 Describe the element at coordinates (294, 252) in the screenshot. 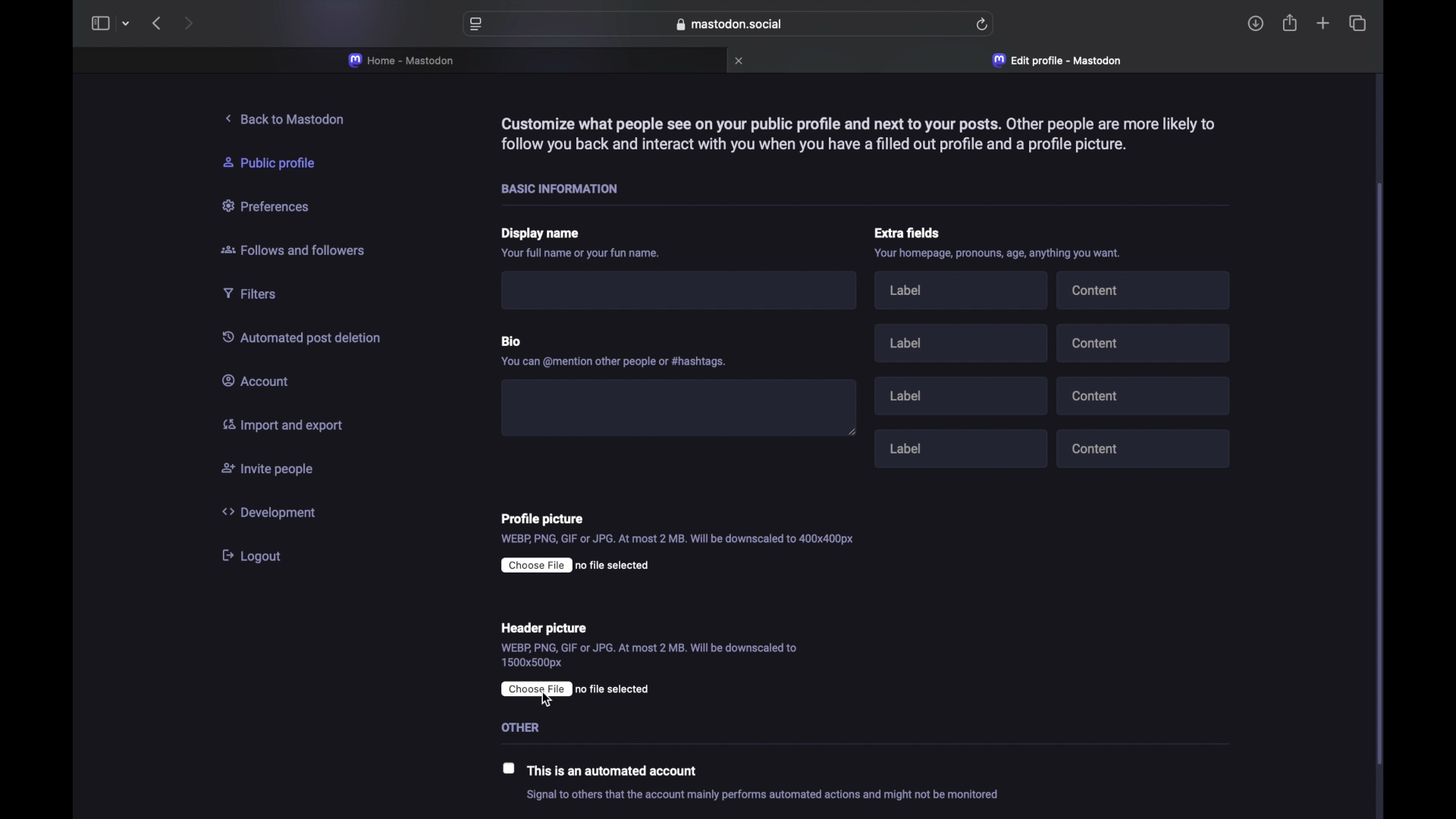

I see `follows and followers` at that location.